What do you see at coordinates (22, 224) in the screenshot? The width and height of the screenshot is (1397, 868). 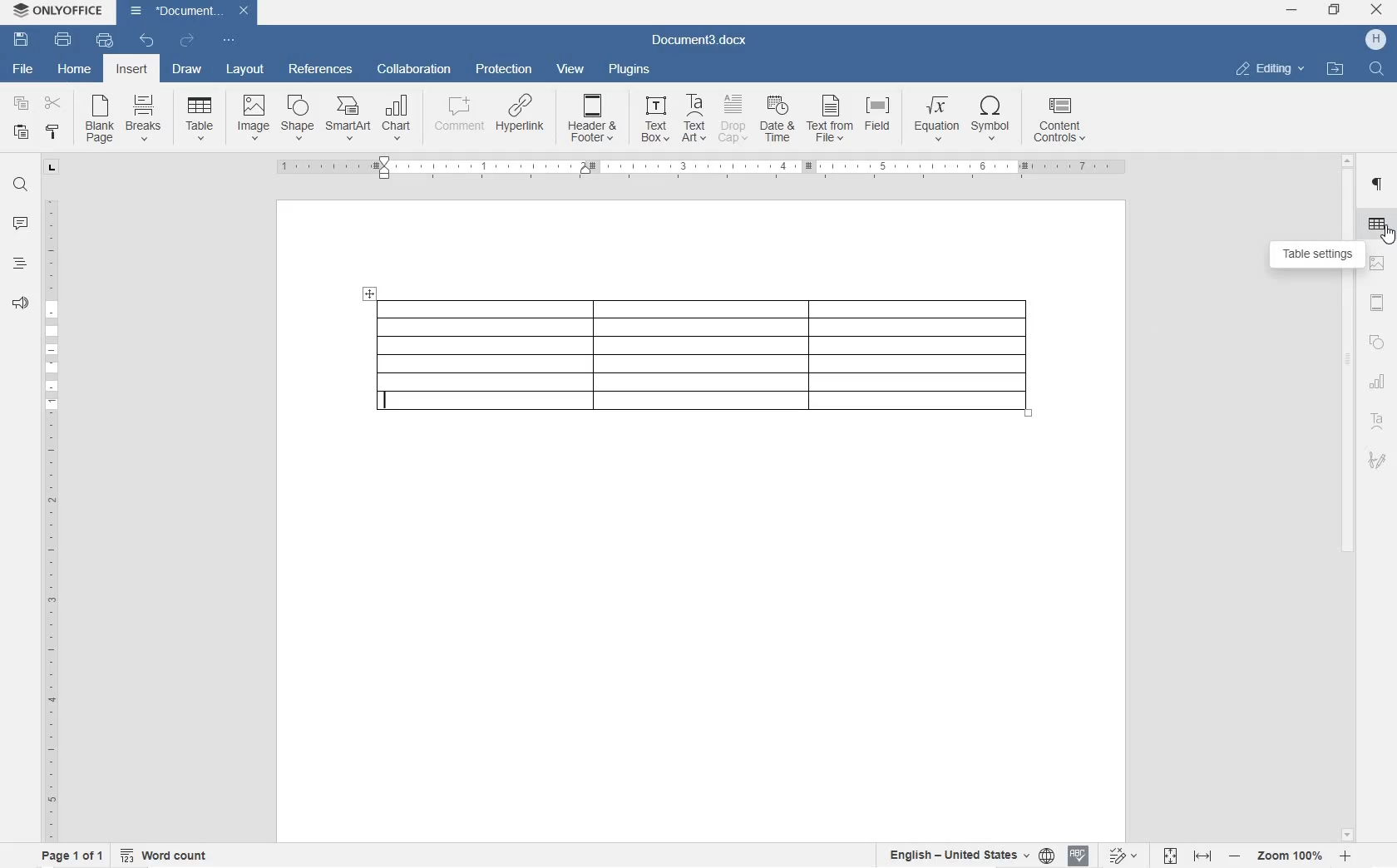 I see `COMMENTS` at bounding box center [22, 224].